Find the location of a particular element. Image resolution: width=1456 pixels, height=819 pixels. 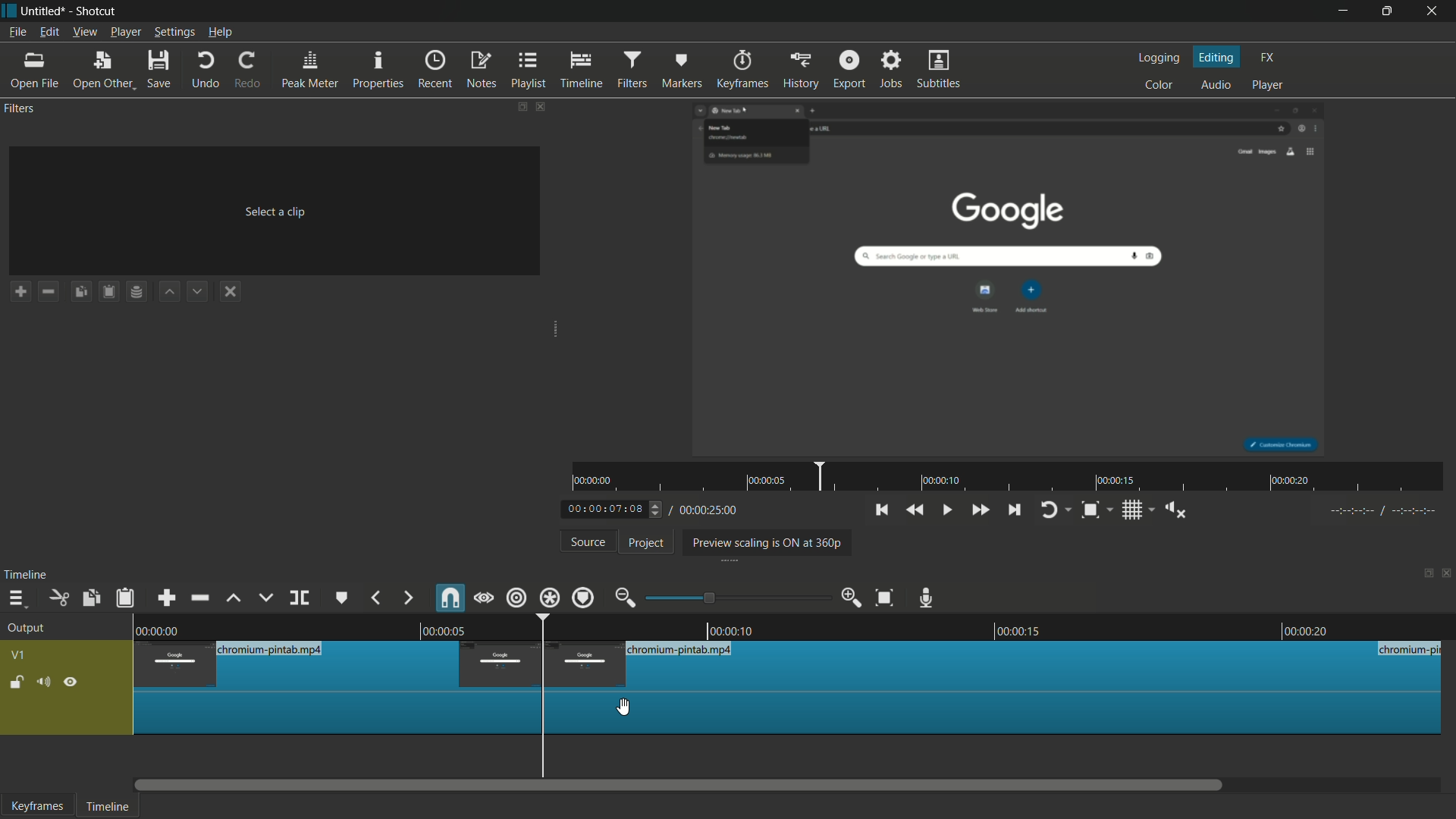

0.0010 is located at coordinates (733, 628).